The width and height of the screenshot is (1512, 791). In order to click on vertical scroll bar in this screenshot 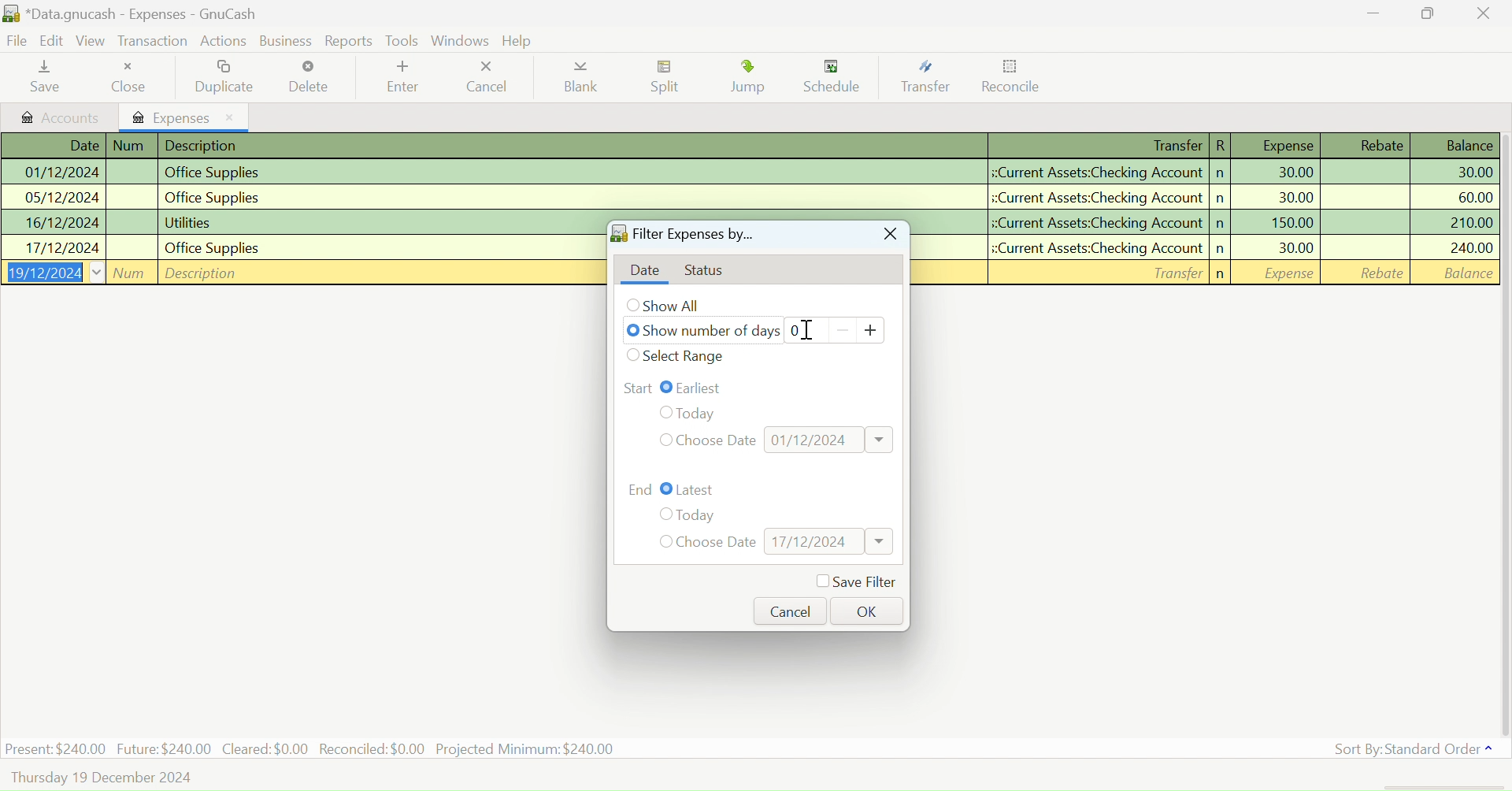, I will do `click(1503, 433)`.